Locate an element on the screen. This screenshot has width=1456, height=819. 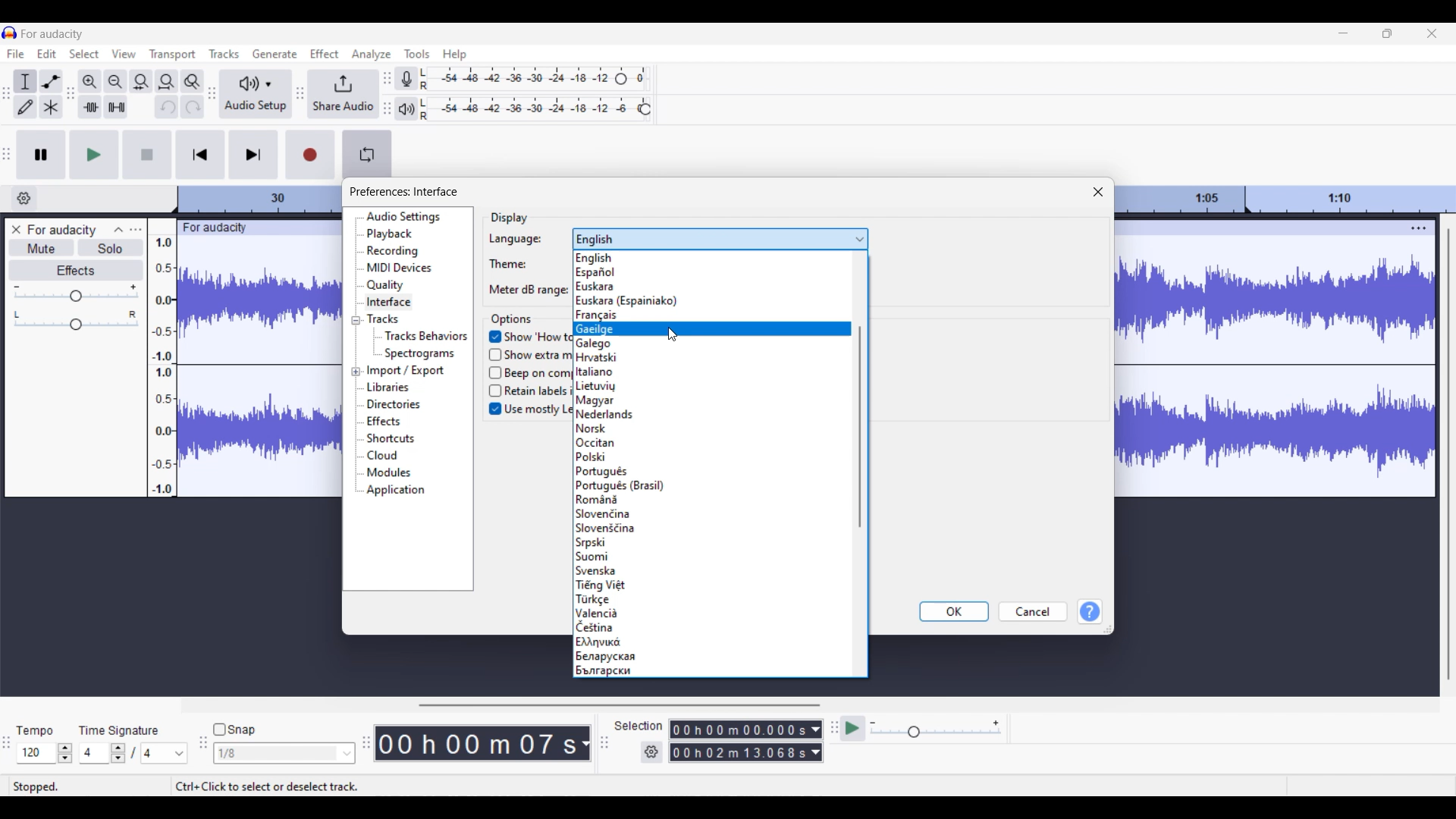
Generate menu is located at coordinates (275, 54).